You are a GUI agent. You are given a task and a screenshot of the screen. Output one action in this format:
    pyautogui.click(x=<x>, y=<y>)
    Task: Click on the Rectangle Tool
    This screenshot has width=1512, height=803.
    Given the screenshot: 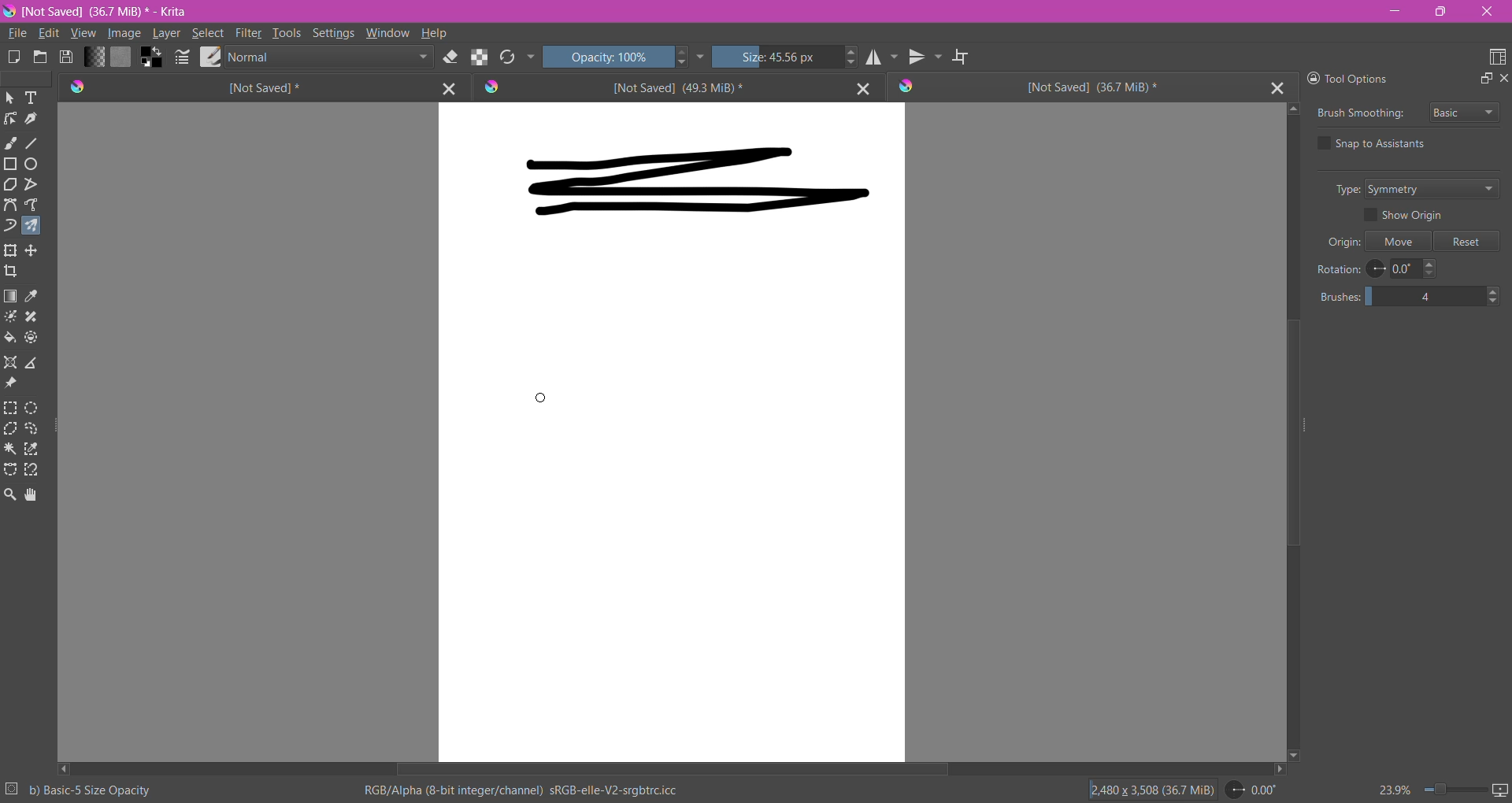 What is the action you would take?
    pyautogui.click(x=11, y=164)
    